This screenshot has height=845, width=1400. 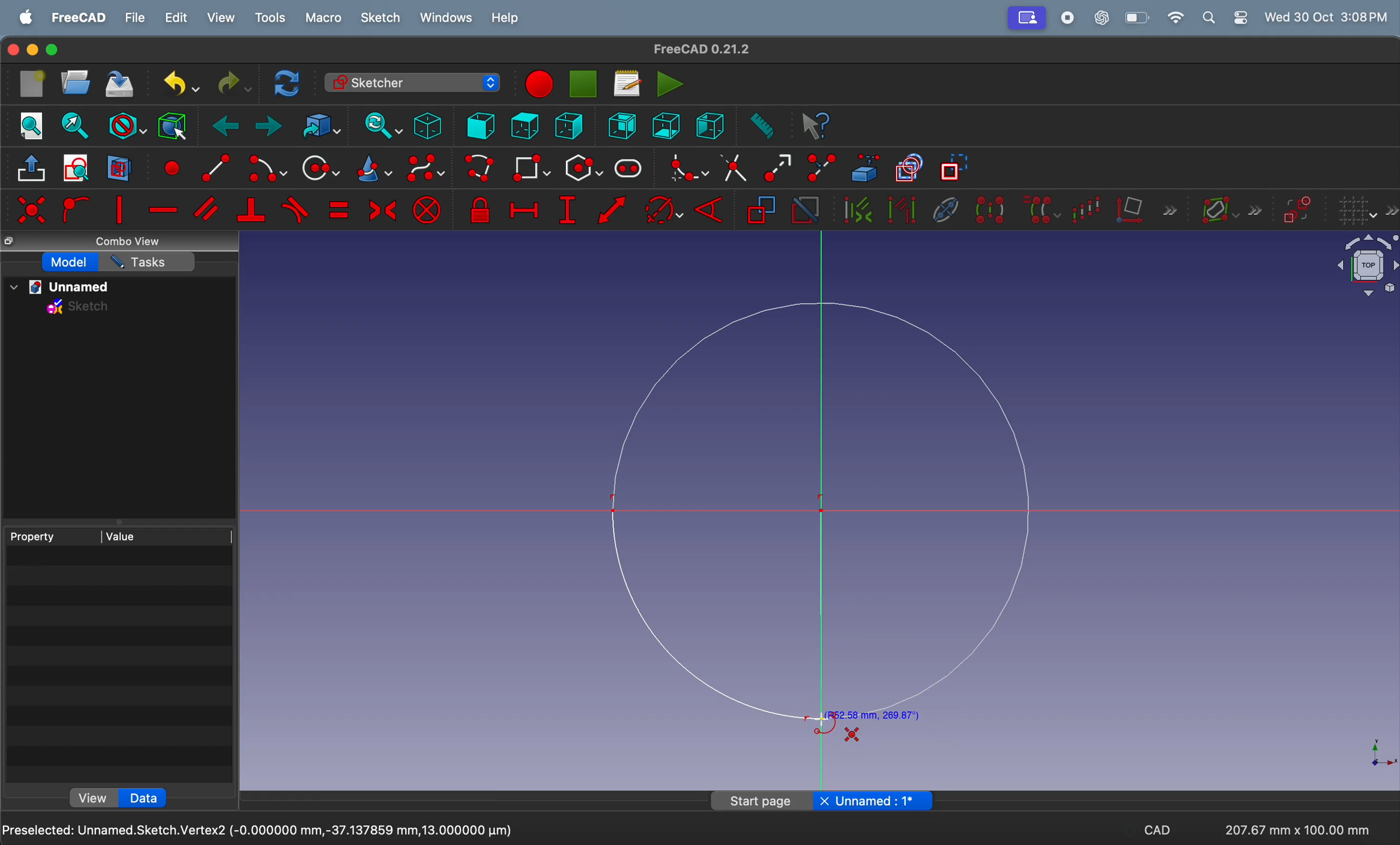 I want to click on open new document, so click(x=76, y=82).